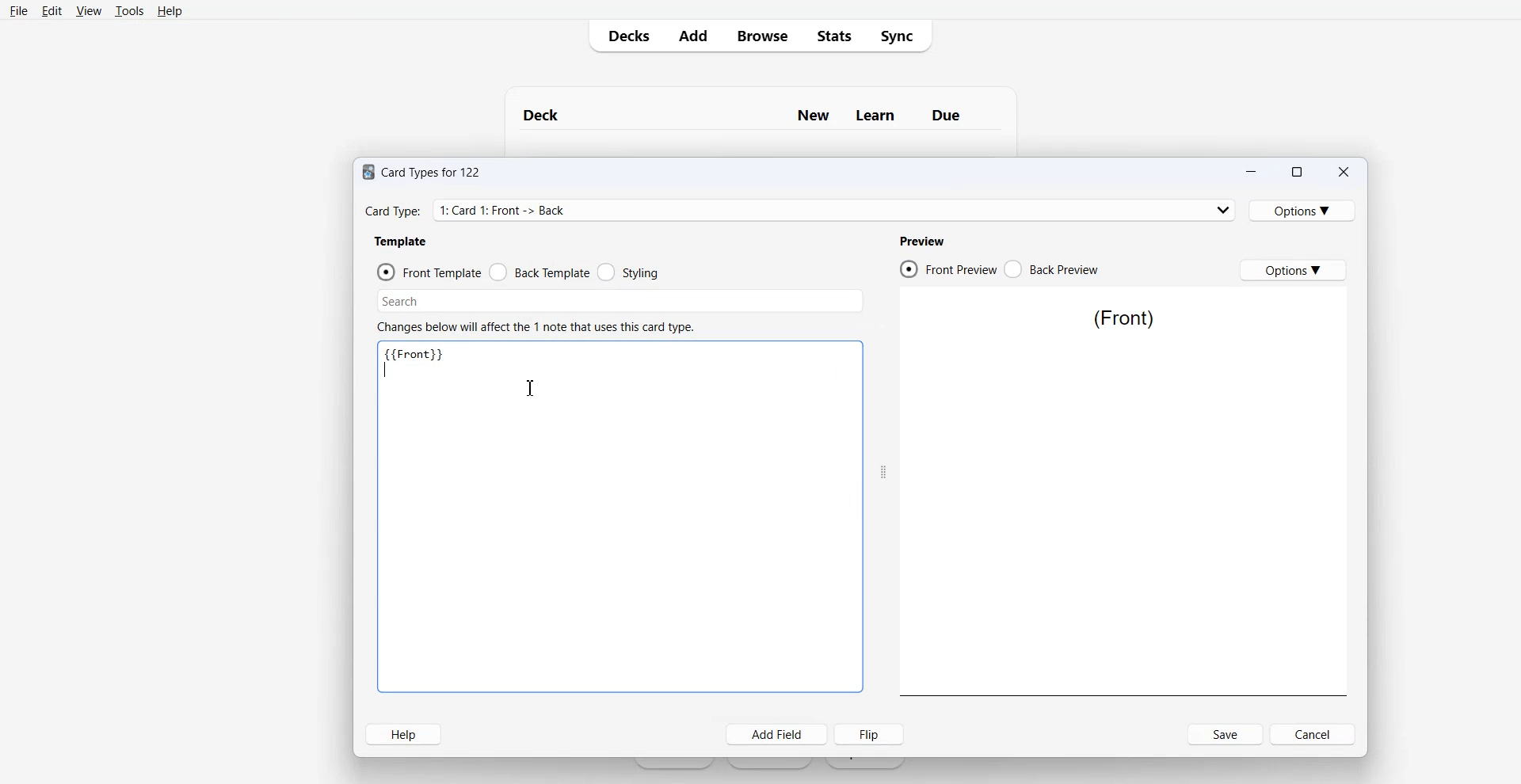  What do you see at coordinates (619, 303) in the screenshot?
I see `Search` at bounding box center [619, 303].